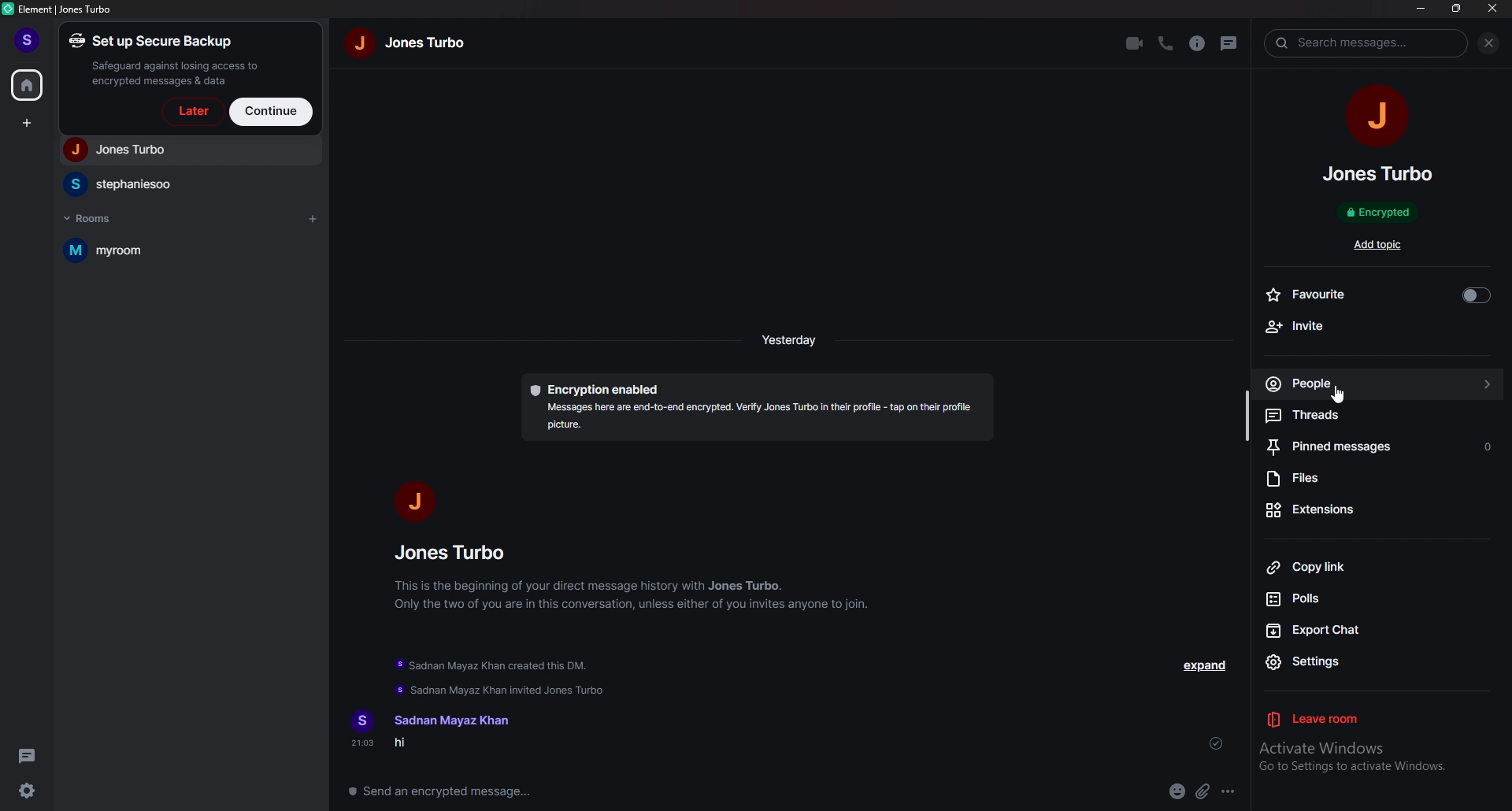 Image resolution: width=1512 pixels, height=811 pixels. Describe the element at coordinates (450, 790) in the screenshot. I see `message box` at that location.